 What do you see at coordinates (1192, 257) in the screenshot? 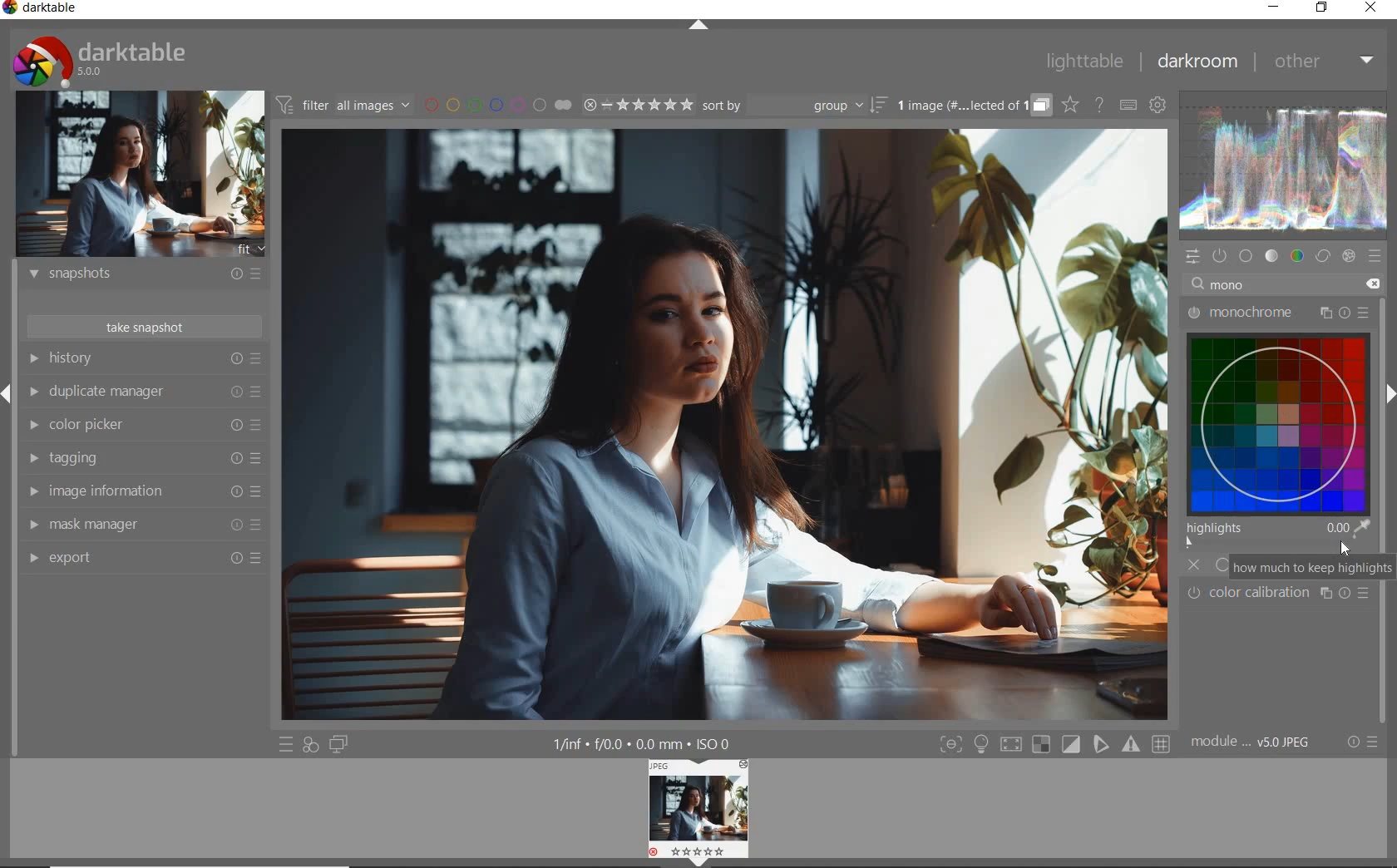
I see `quick access panel` at bounding box center [1192, 257].